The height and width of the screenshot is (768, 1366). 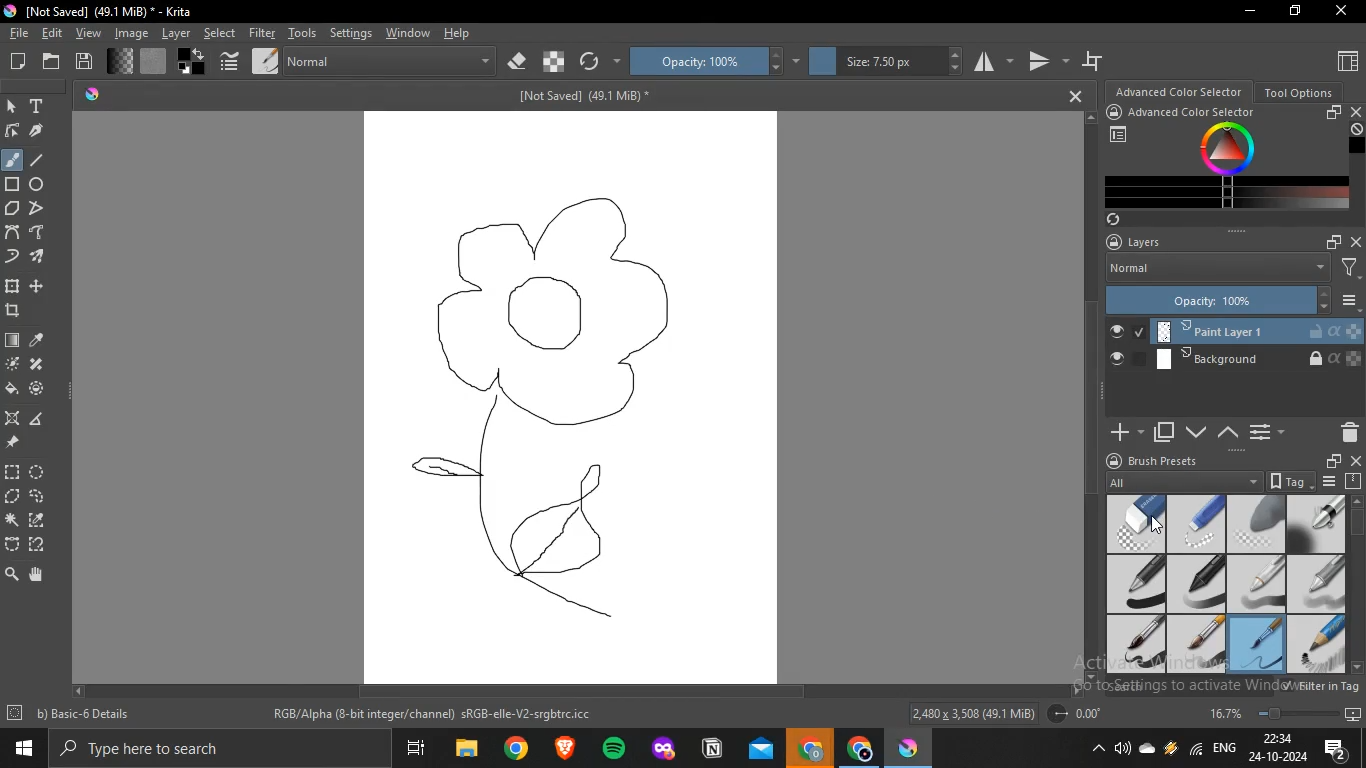 What do you see at coordinates (36, 131) in the screenshot?
I see `calligraphy` at bounding box center [36, 131].